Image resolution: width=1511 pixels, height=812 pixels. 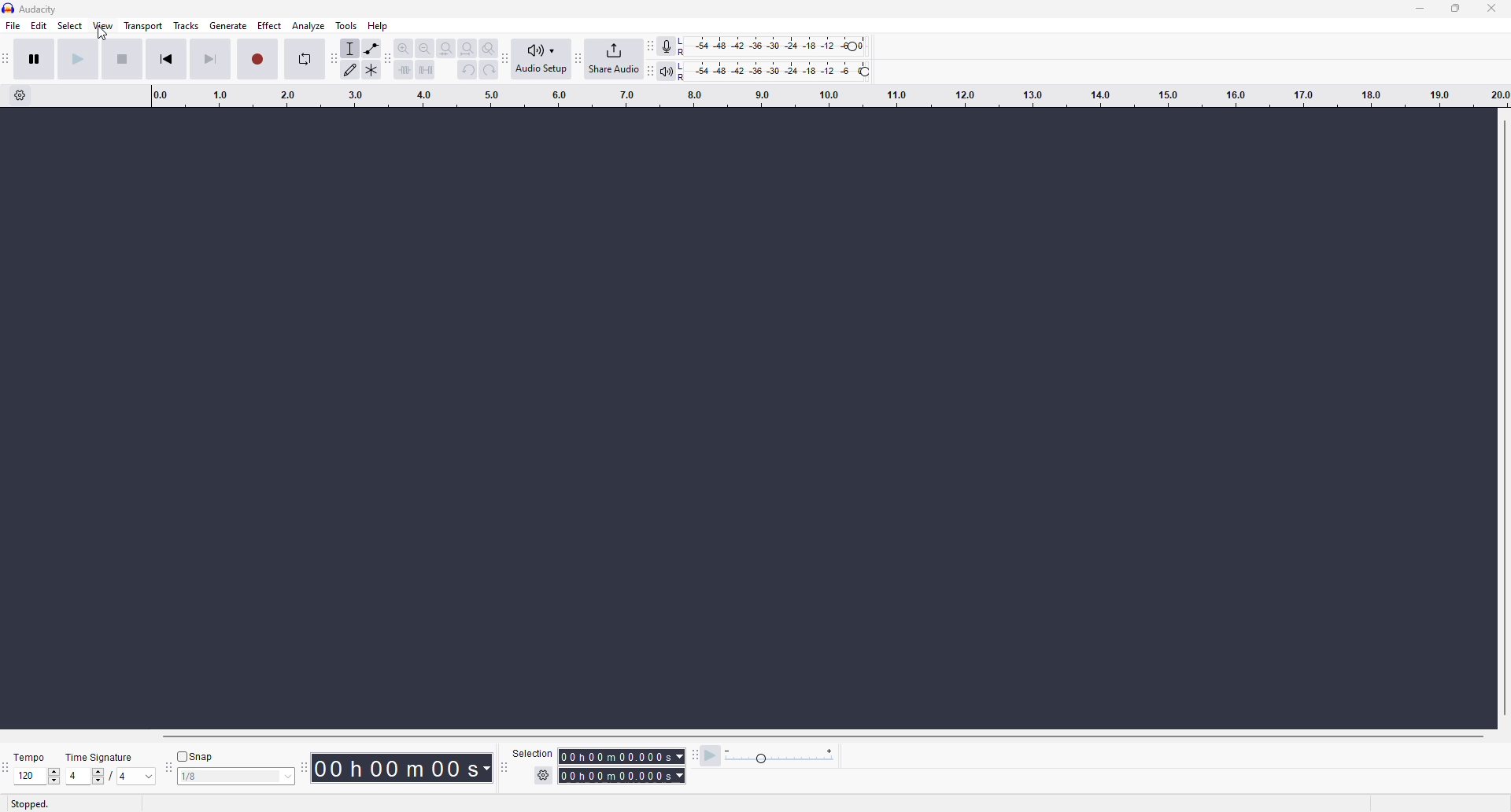 What do you see at coordinates (28, 758) in the screenshot?
I see `tempo` at bounding box center [28, 758].